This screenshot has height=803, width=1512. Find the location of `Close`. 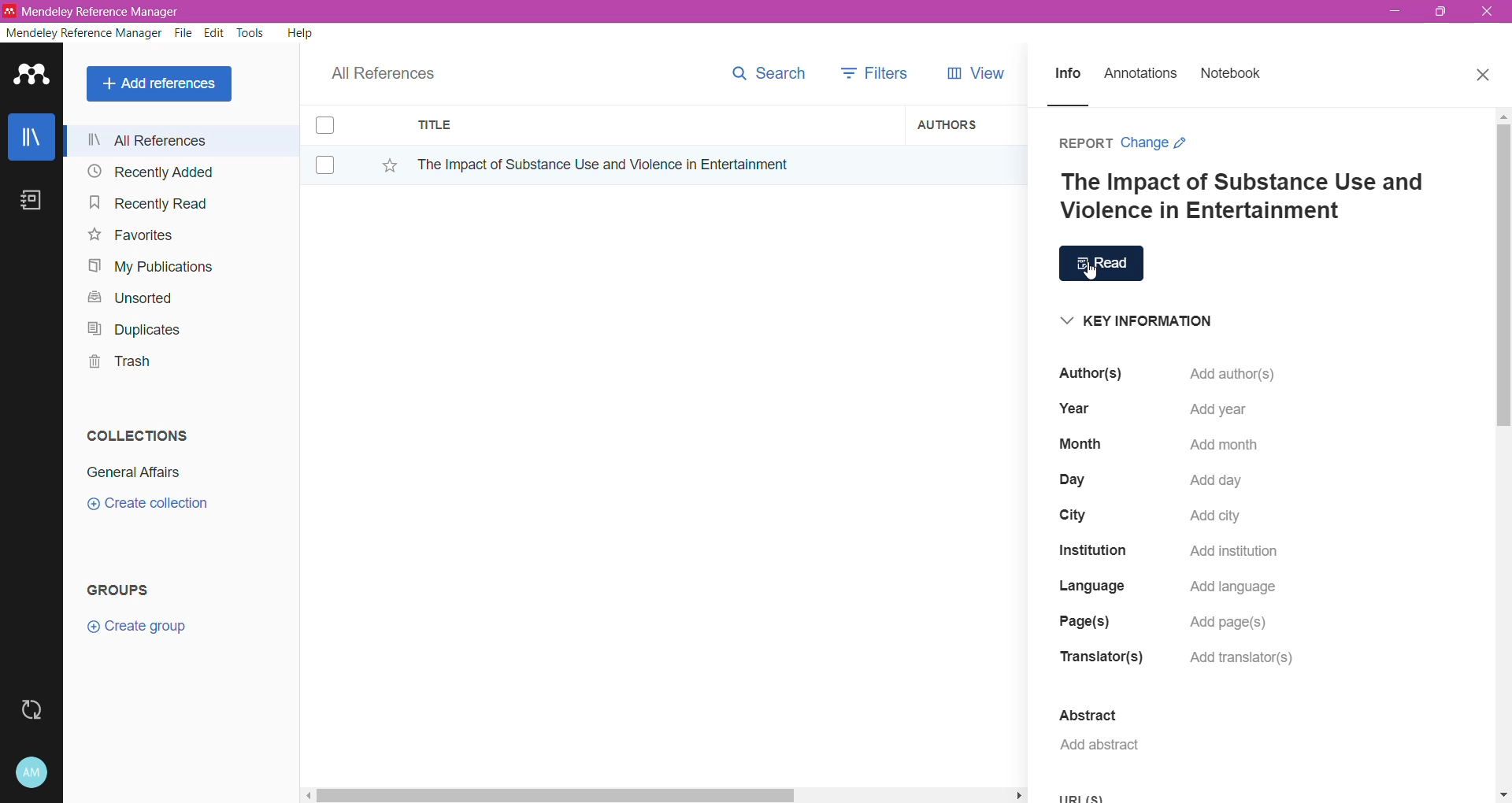

Close is located at coordinates (1481, 76).